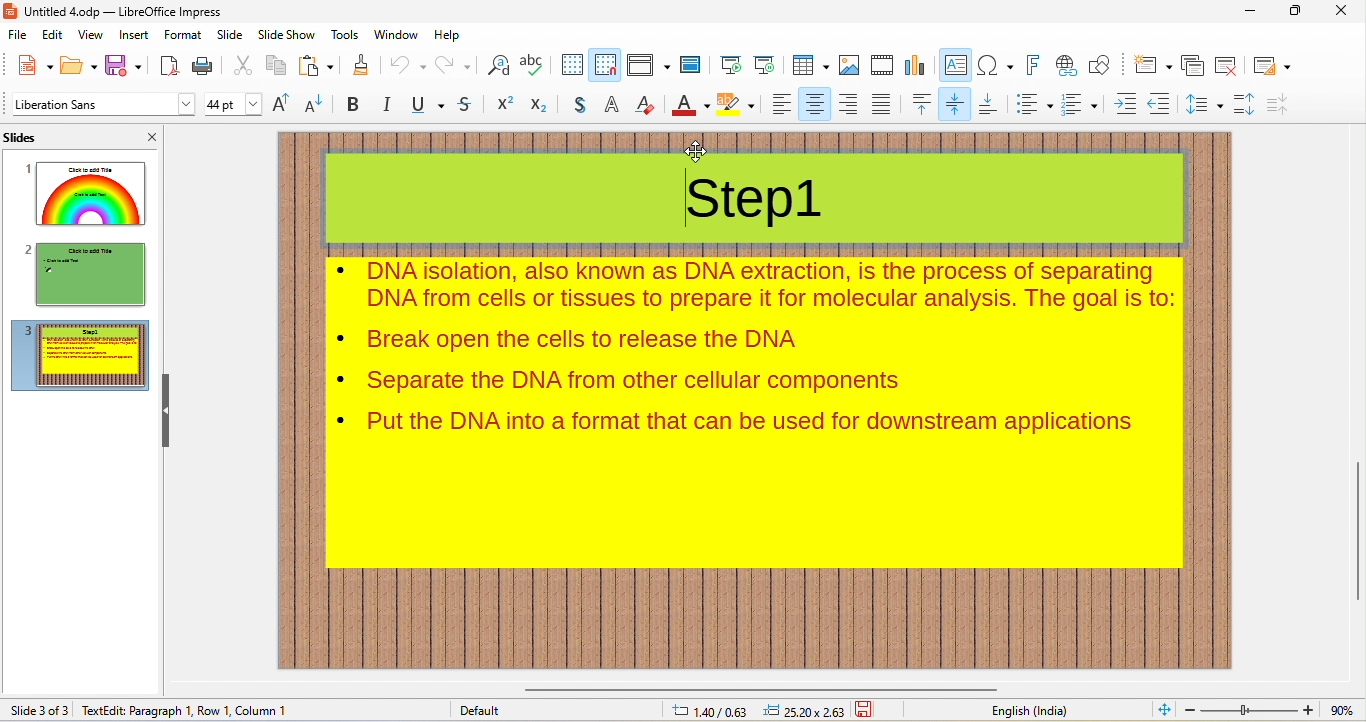  What do you see at coordinates (455, 35) in the screenshot?
I see `help` at bounding box center [455, 35].